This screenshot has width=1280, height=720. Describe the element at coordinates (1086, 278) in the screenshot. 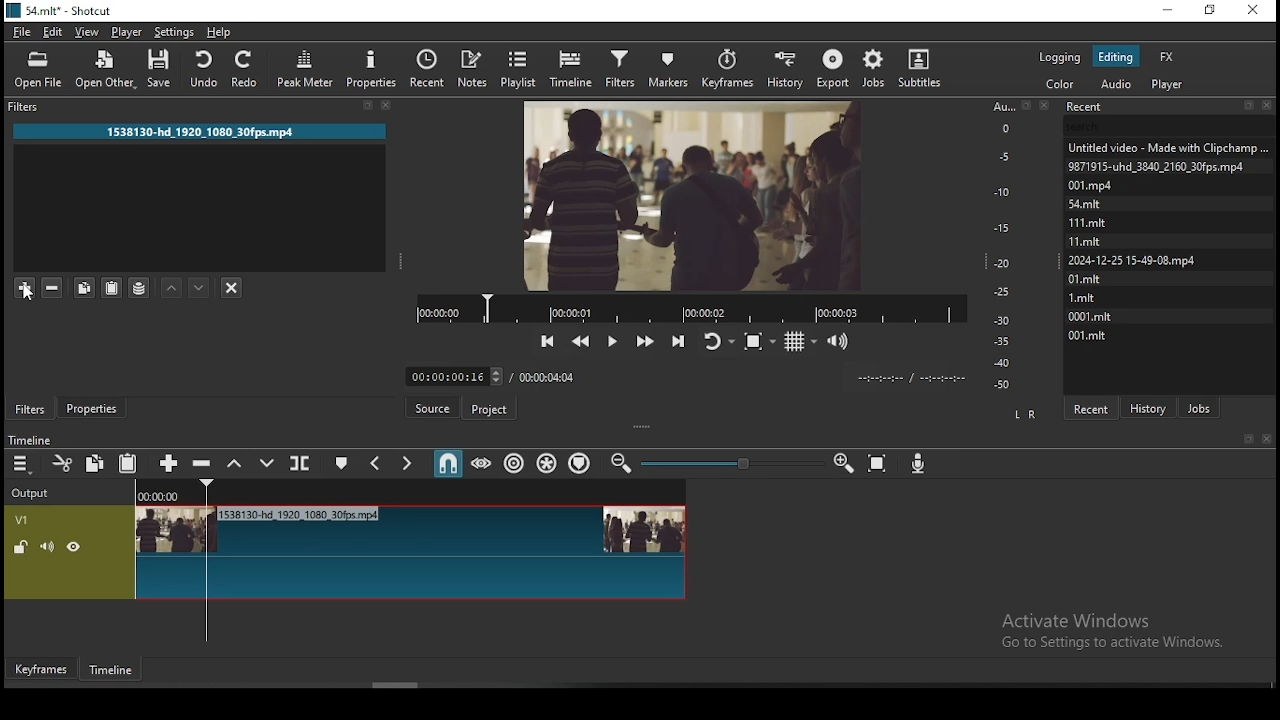

I see `01.mit` at that location.